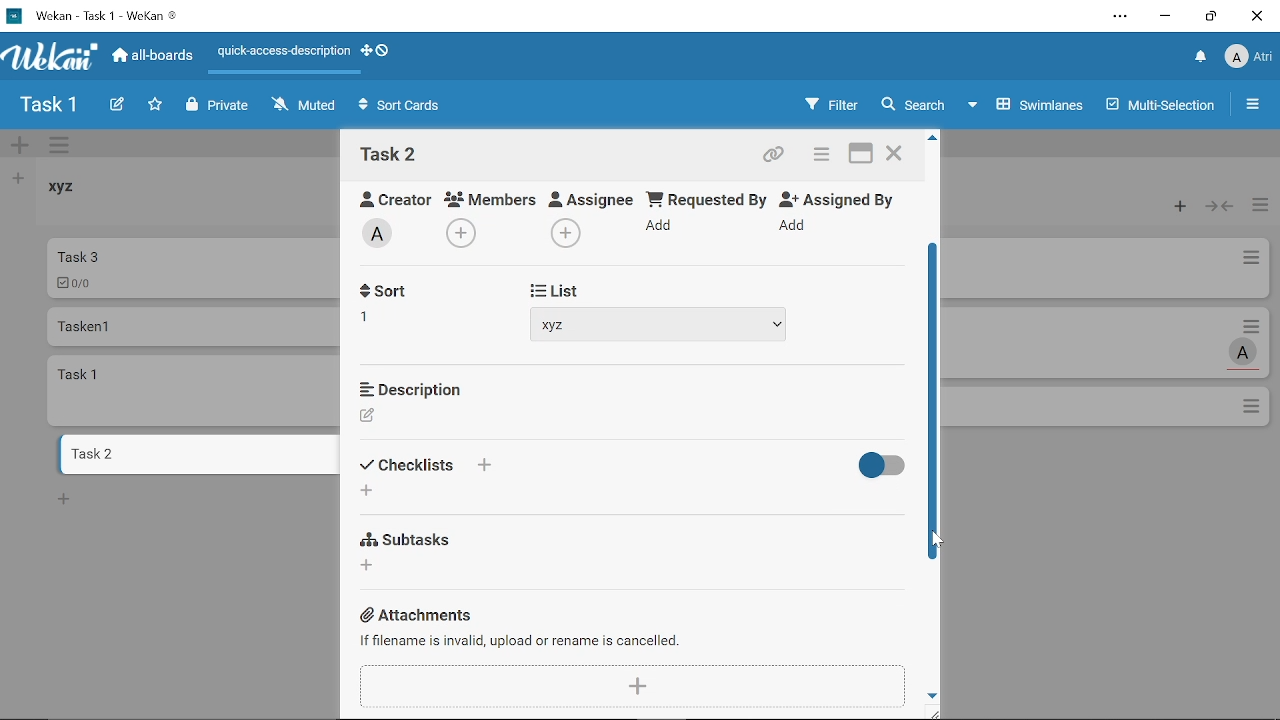 This screenshot has height=720, width=1280. I want to click on Creator, so click(388, 196).